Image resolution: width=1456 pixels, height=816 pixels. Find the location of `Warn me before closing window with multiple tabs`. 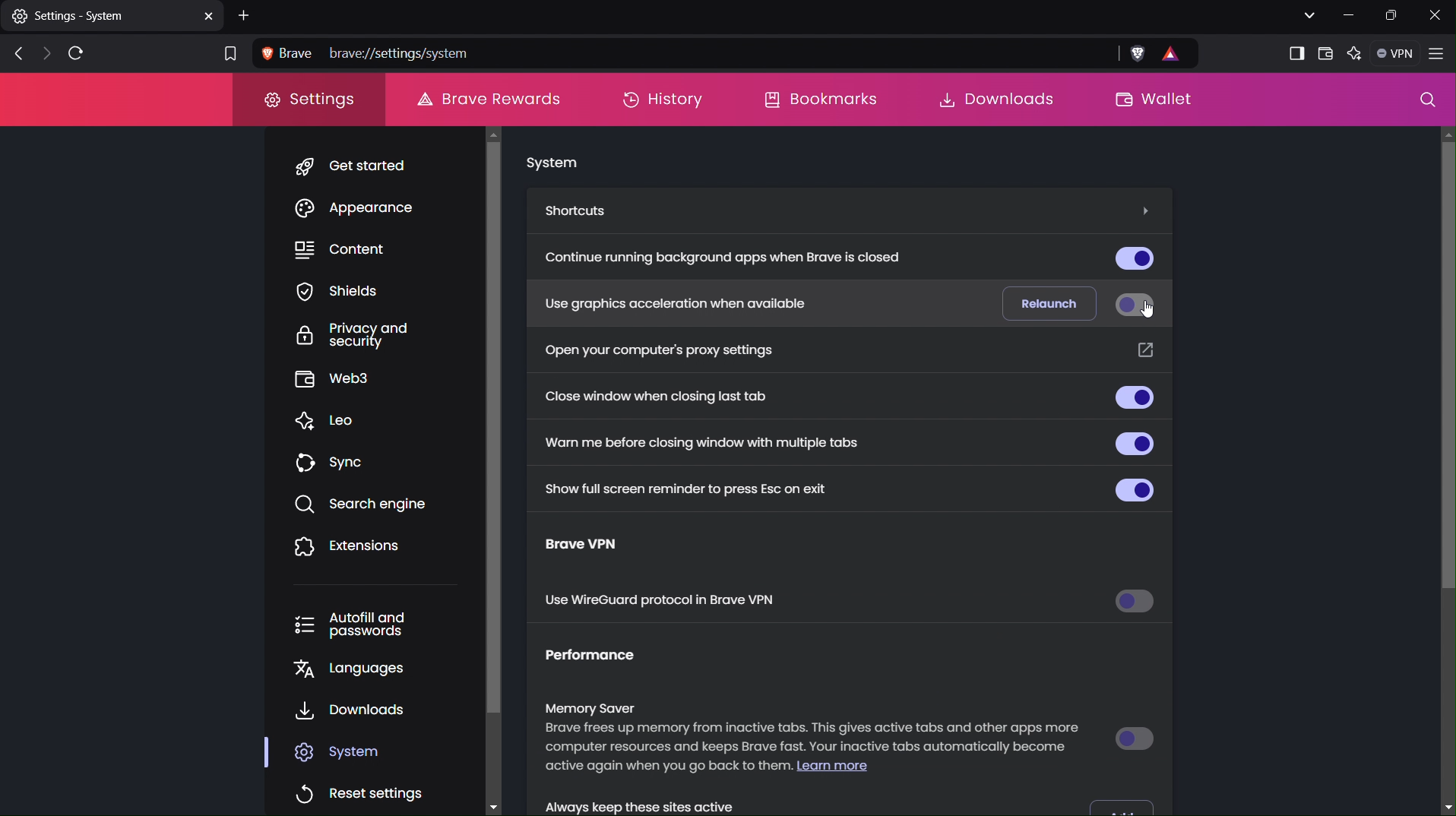

Warn me before closing window with multiple tabs is located at coordinates (704, 441).